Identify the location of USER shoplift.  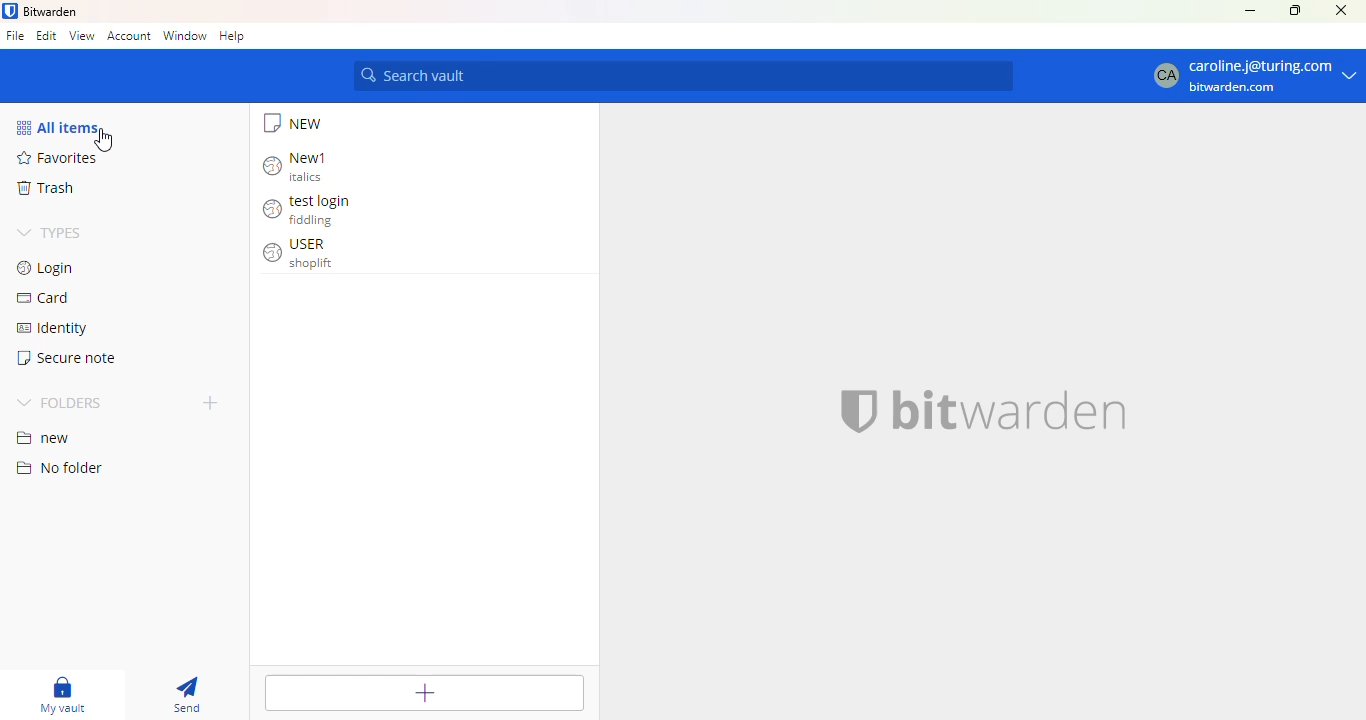
(301, 254).